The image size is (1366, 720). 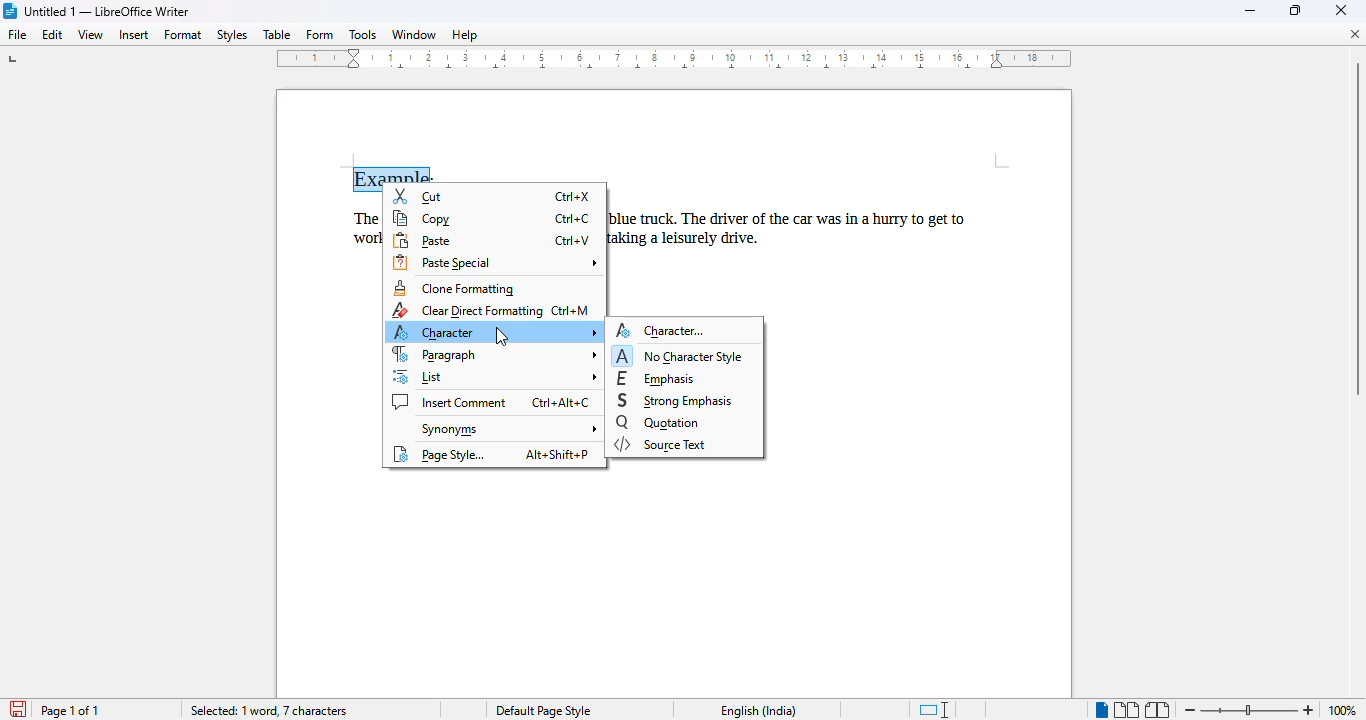 What do you see at coordinates (1344, 710) in the screenshot?
I see `100% (zoom level)` at bounding box center [1344, 710].